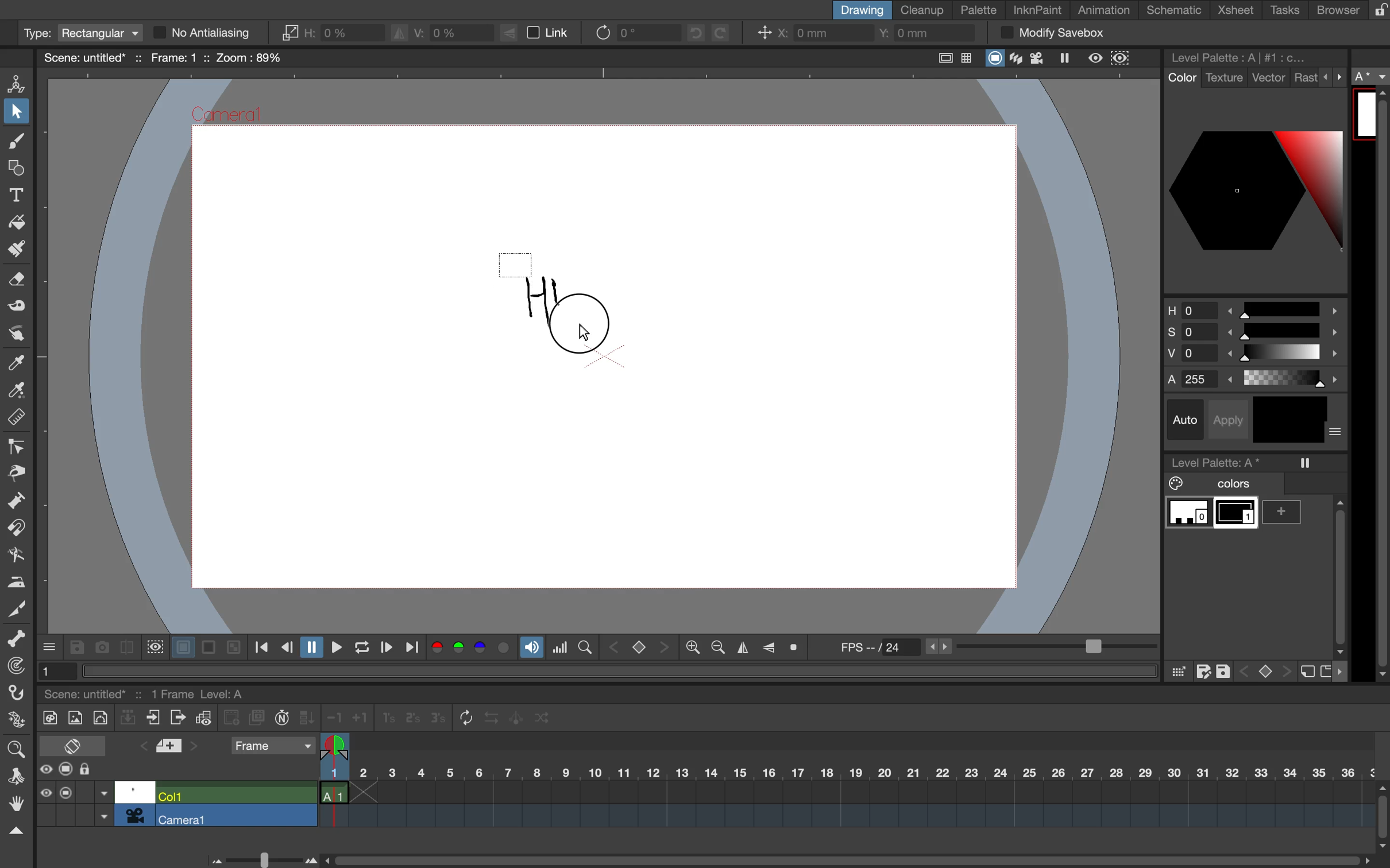 The width and height of the screenshot is (1390, 868). Describe the element at coordinates (47, 716) in the screenshot. I see `new toonz raster level` at that location.